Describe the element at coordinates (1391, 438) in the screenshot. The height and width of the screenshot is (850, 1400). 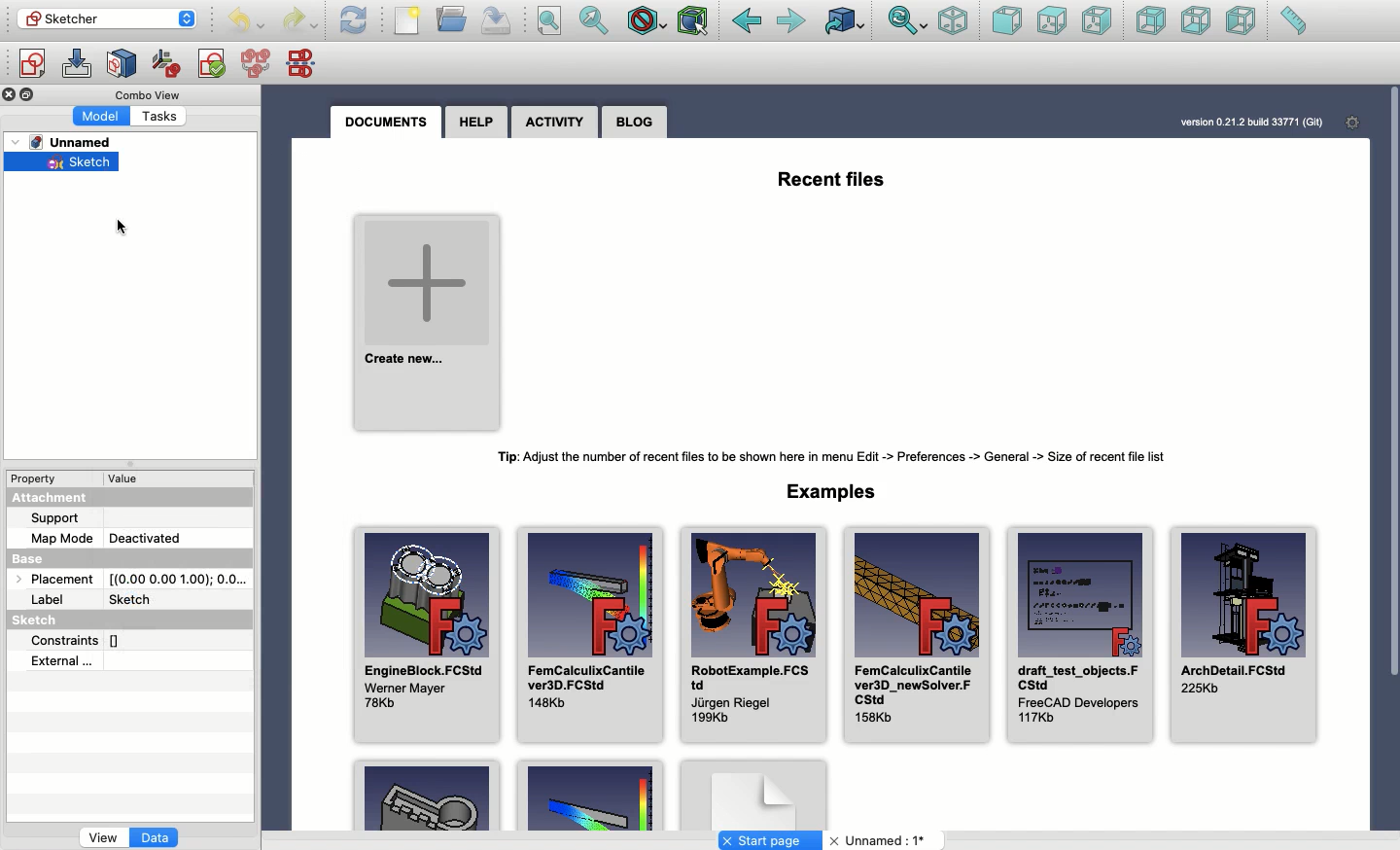
I see `Scroll` at that location.